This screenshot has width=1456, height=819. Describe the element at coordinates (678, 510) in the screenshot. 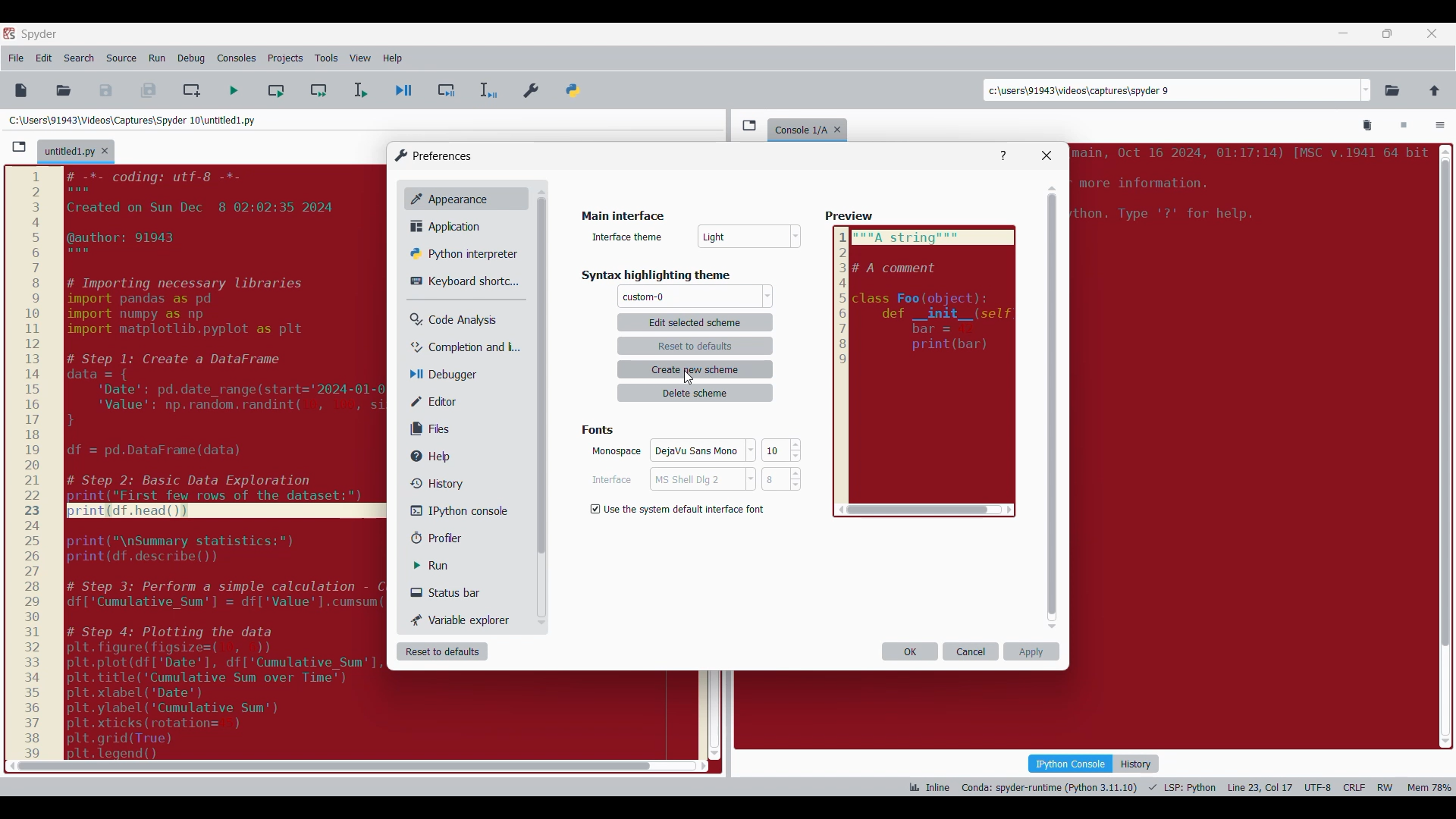

I see `Toggle for default interface font` at that location.